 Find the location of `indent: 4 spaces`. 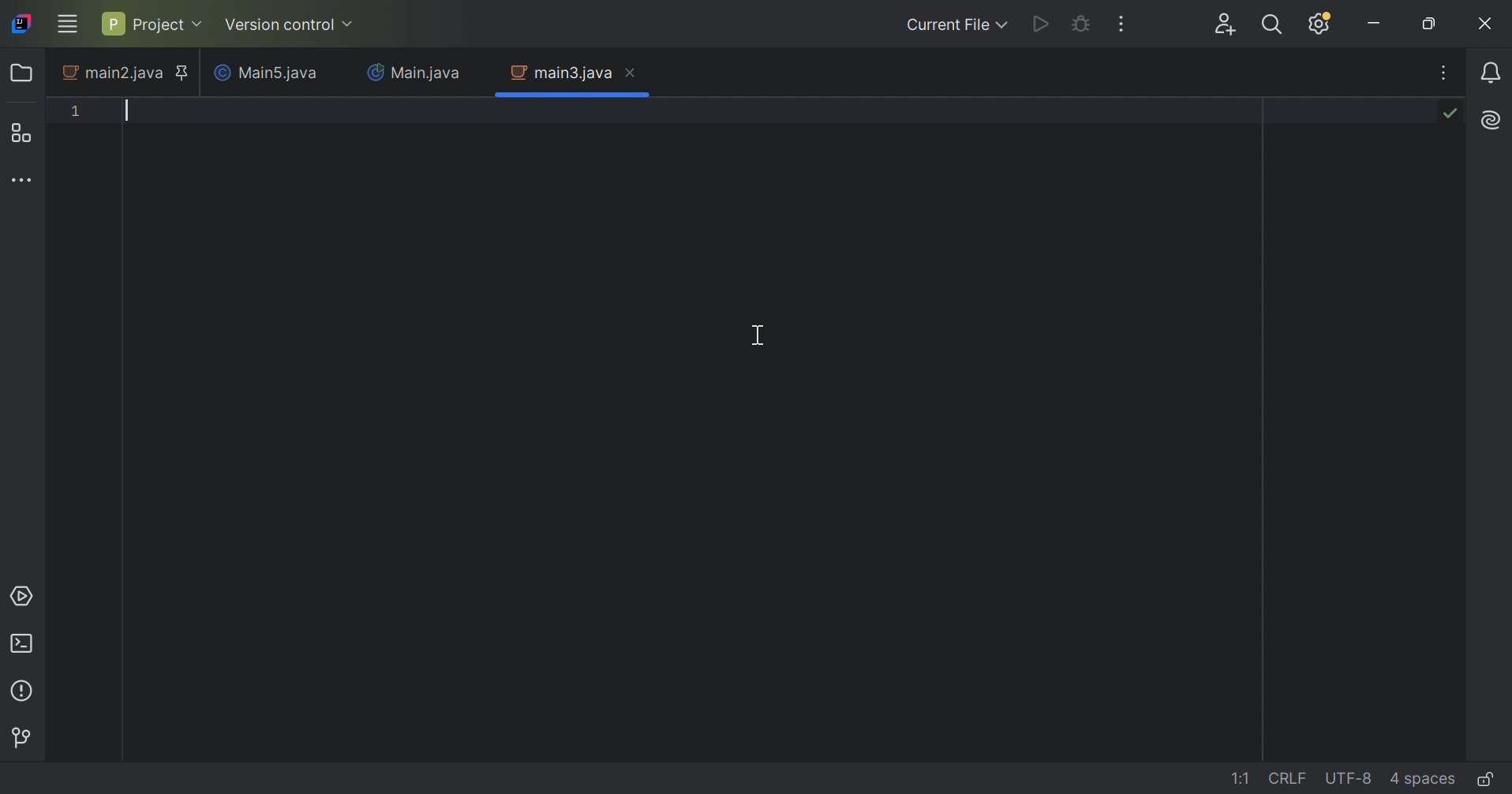

indent: 4 spaces is located at coordinates (1424, 779).